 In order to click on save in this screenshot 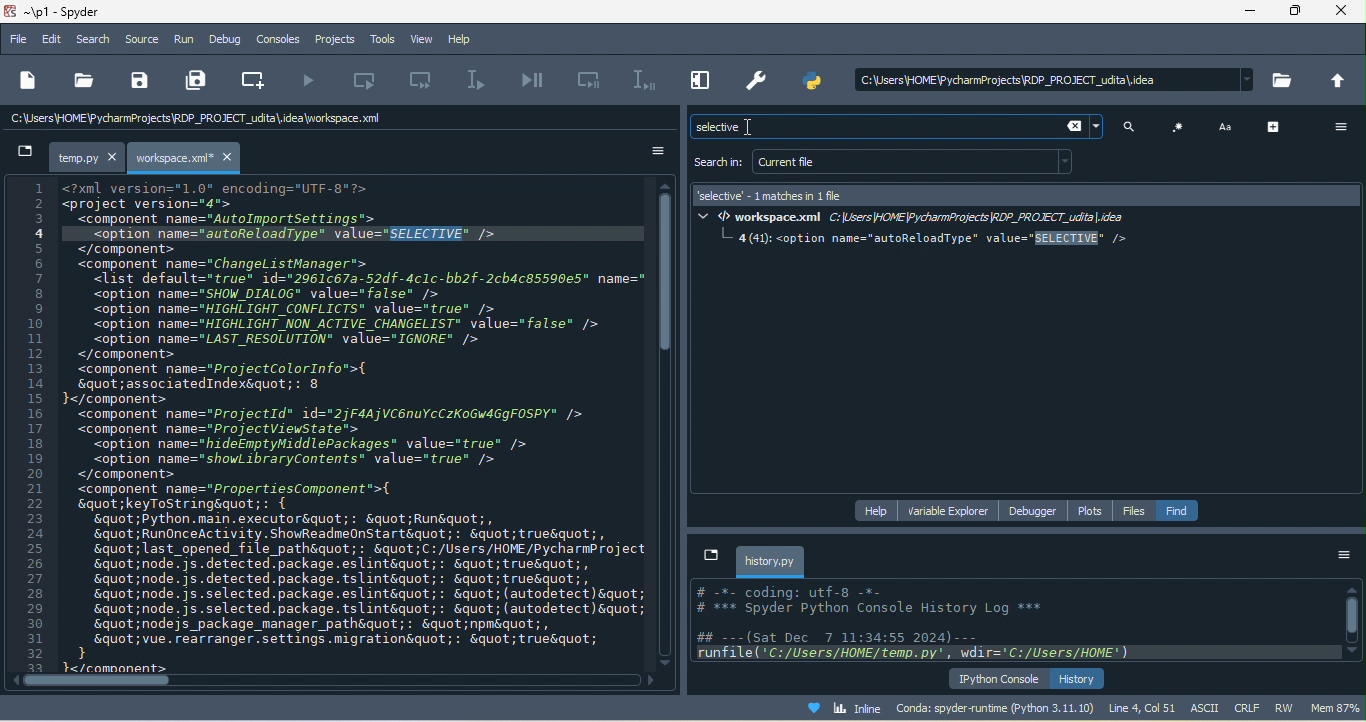, I will do `click(139, 81)`.